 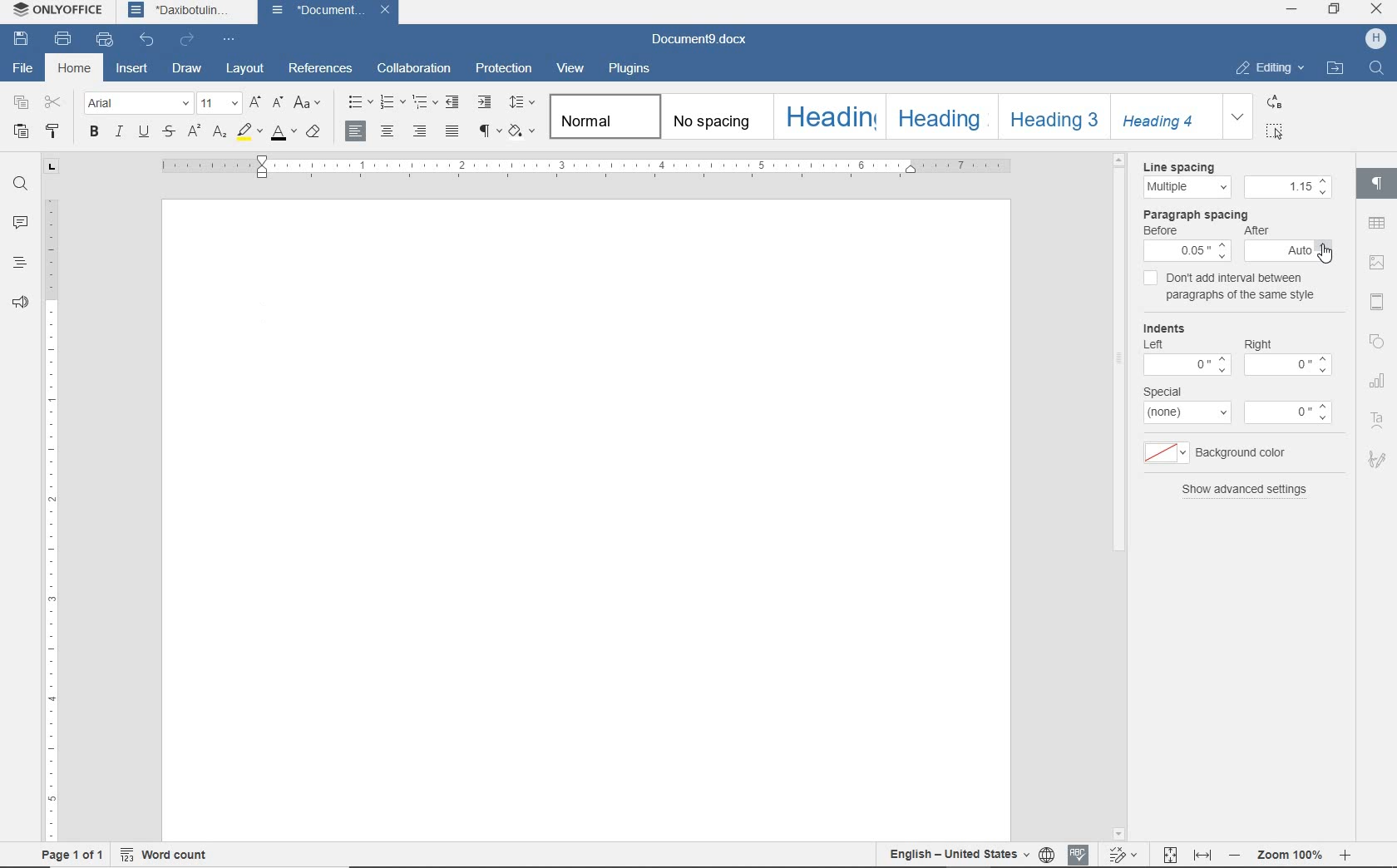 What do you see at coordinates (21, 42) in the screenshot?
I see `save` at bounding box center [21, 42].